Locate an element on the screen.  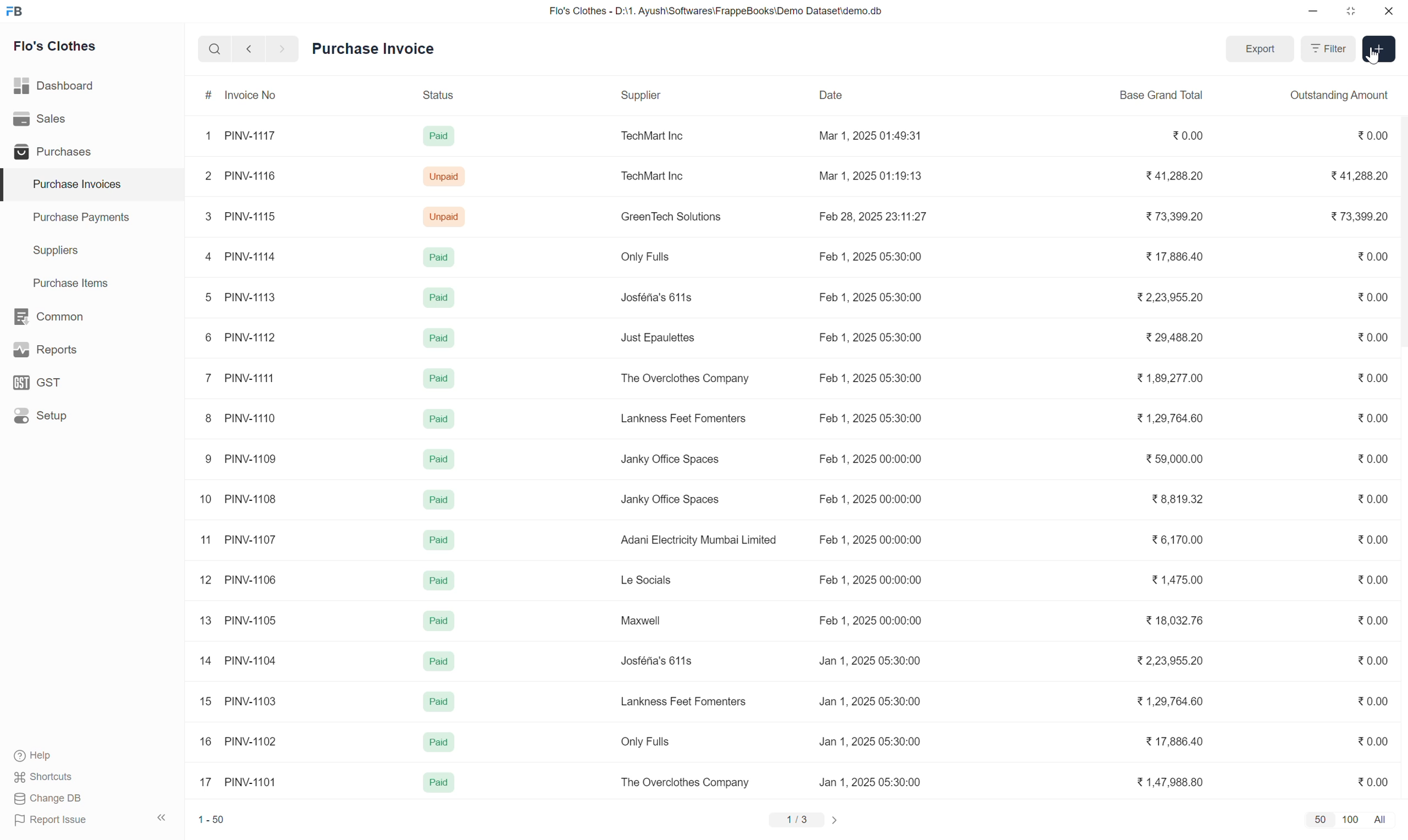
2,23,955.20 is located at coordinates (1167, 660).